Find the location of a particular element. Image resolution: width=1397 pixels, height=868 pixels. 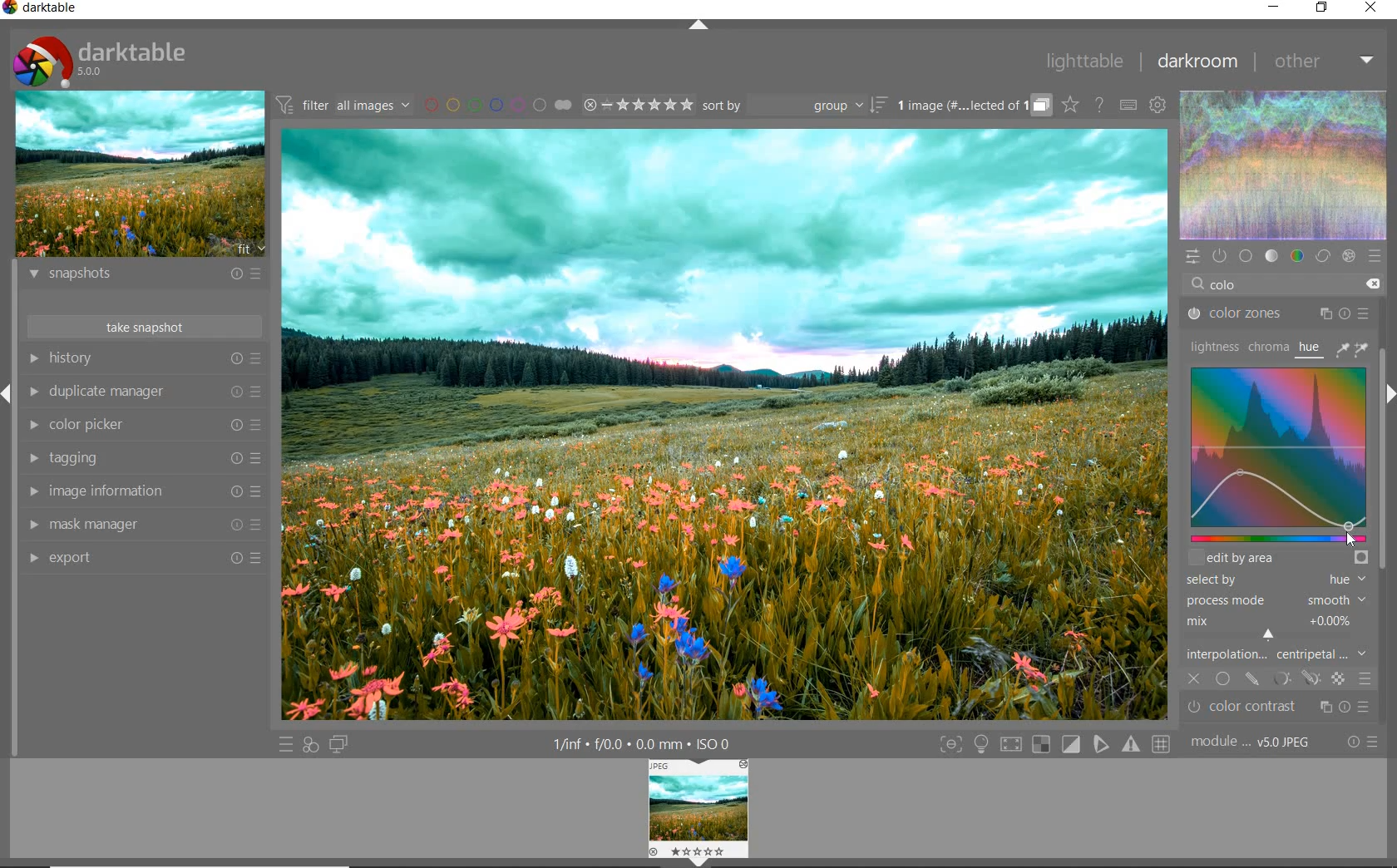

filter images by color labels is located at coordinates (496, 105).